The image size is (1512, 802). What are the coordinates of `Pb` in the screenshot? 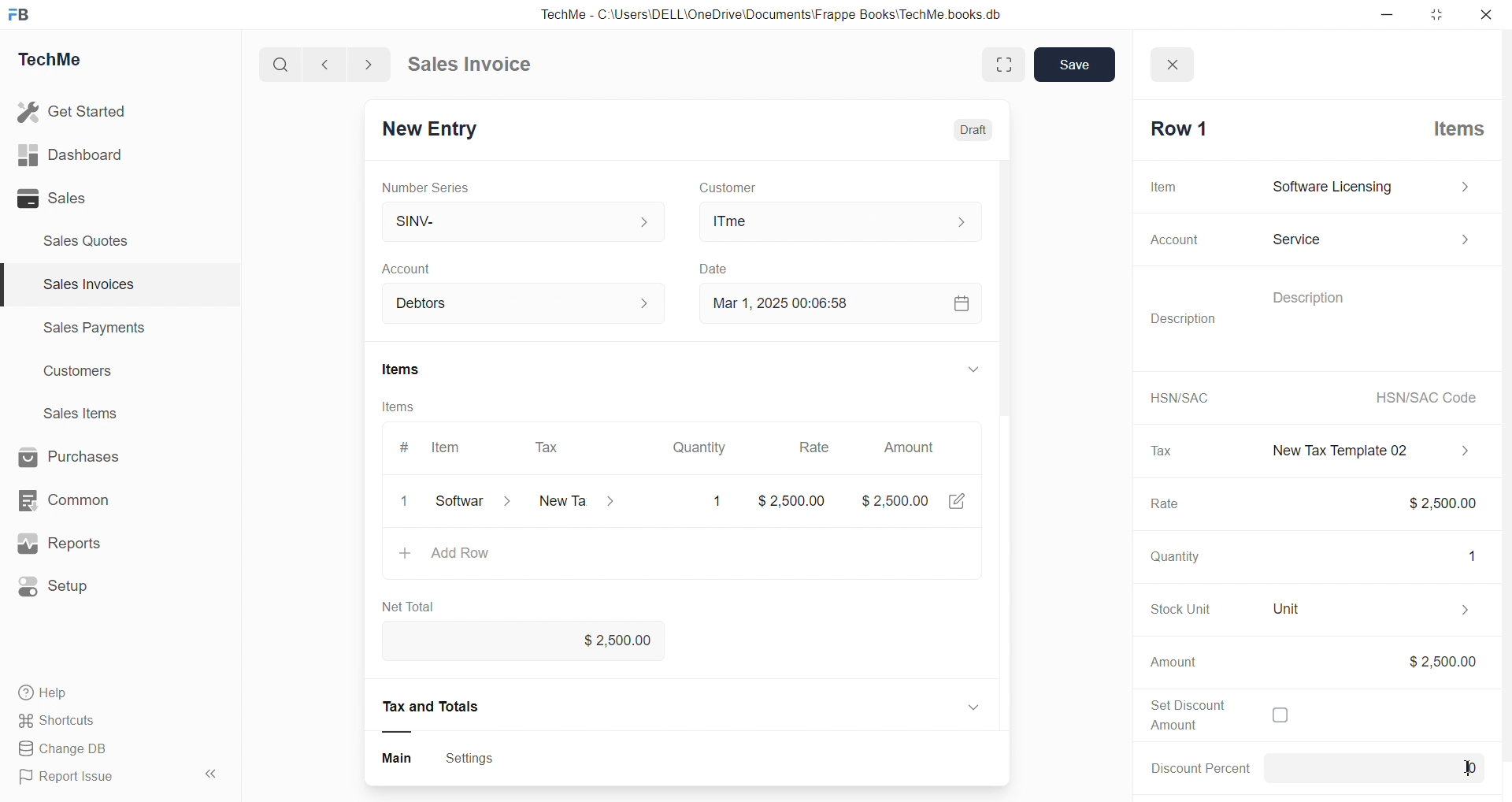 It's located at (1400, 768).